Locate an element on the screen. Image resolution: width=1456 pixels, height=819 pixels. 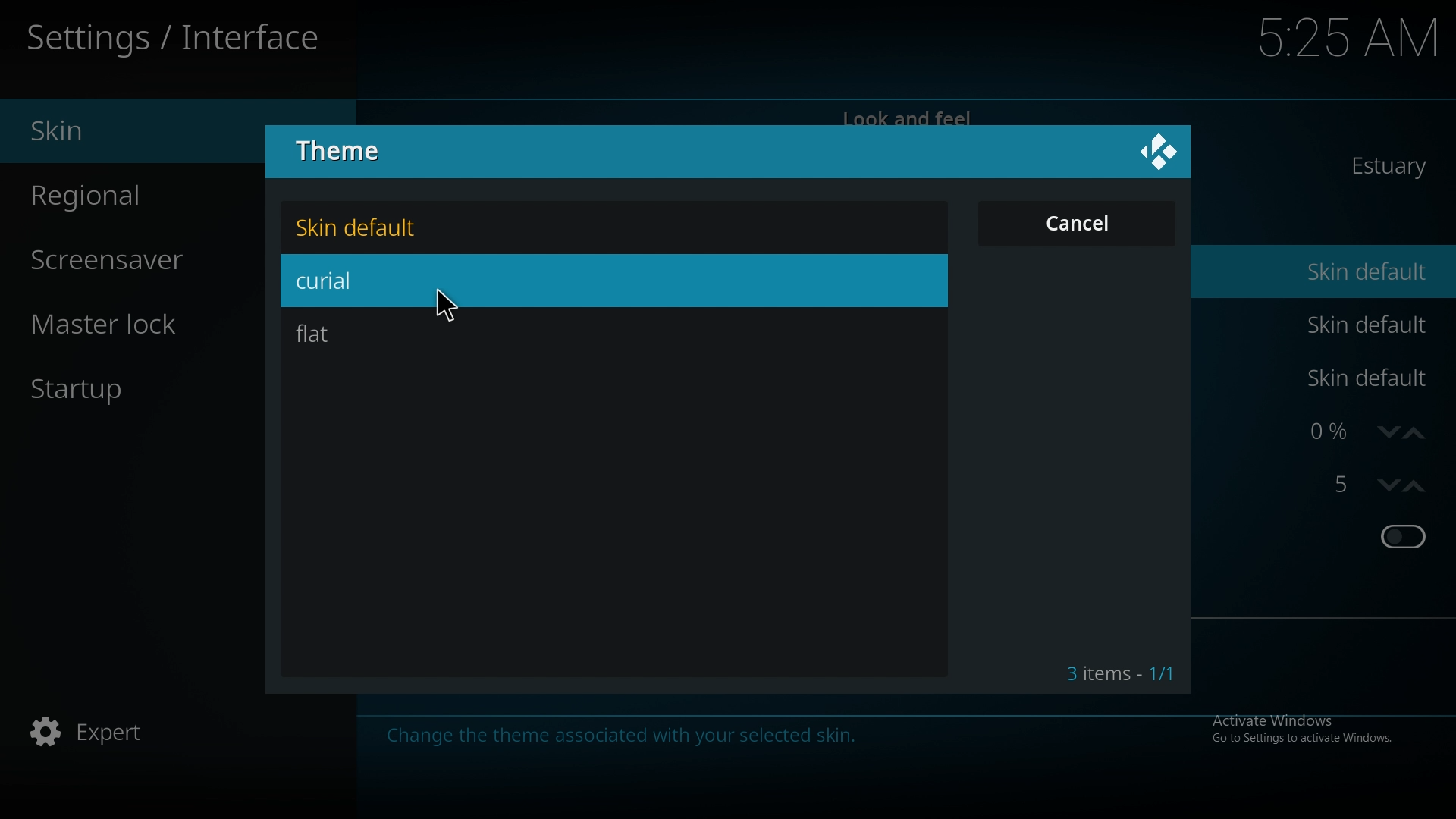
theme is located at coordinates (350, 149).